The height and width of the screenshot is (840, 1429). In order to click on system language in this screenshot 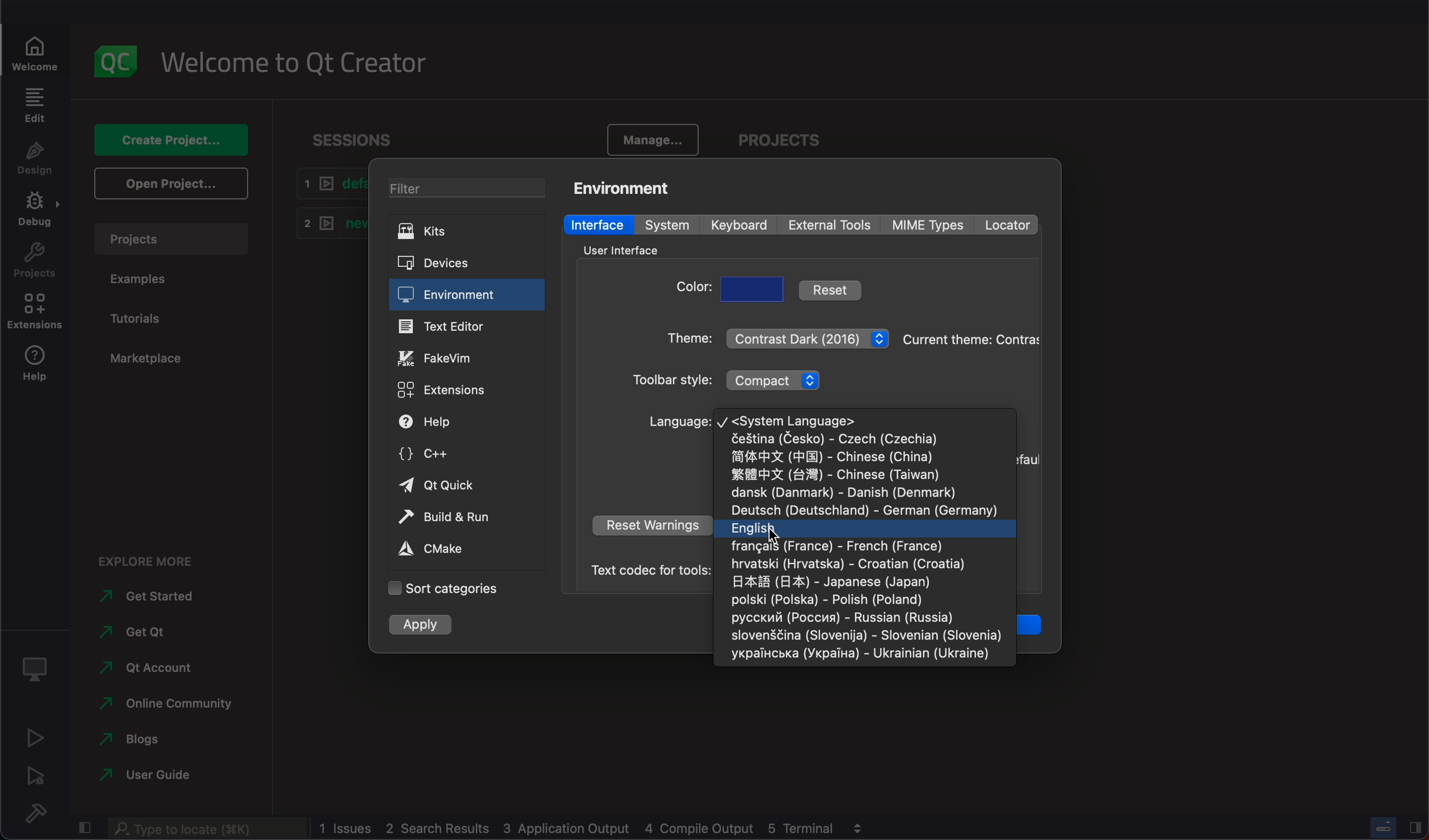, I will do `click(787, 421)`.